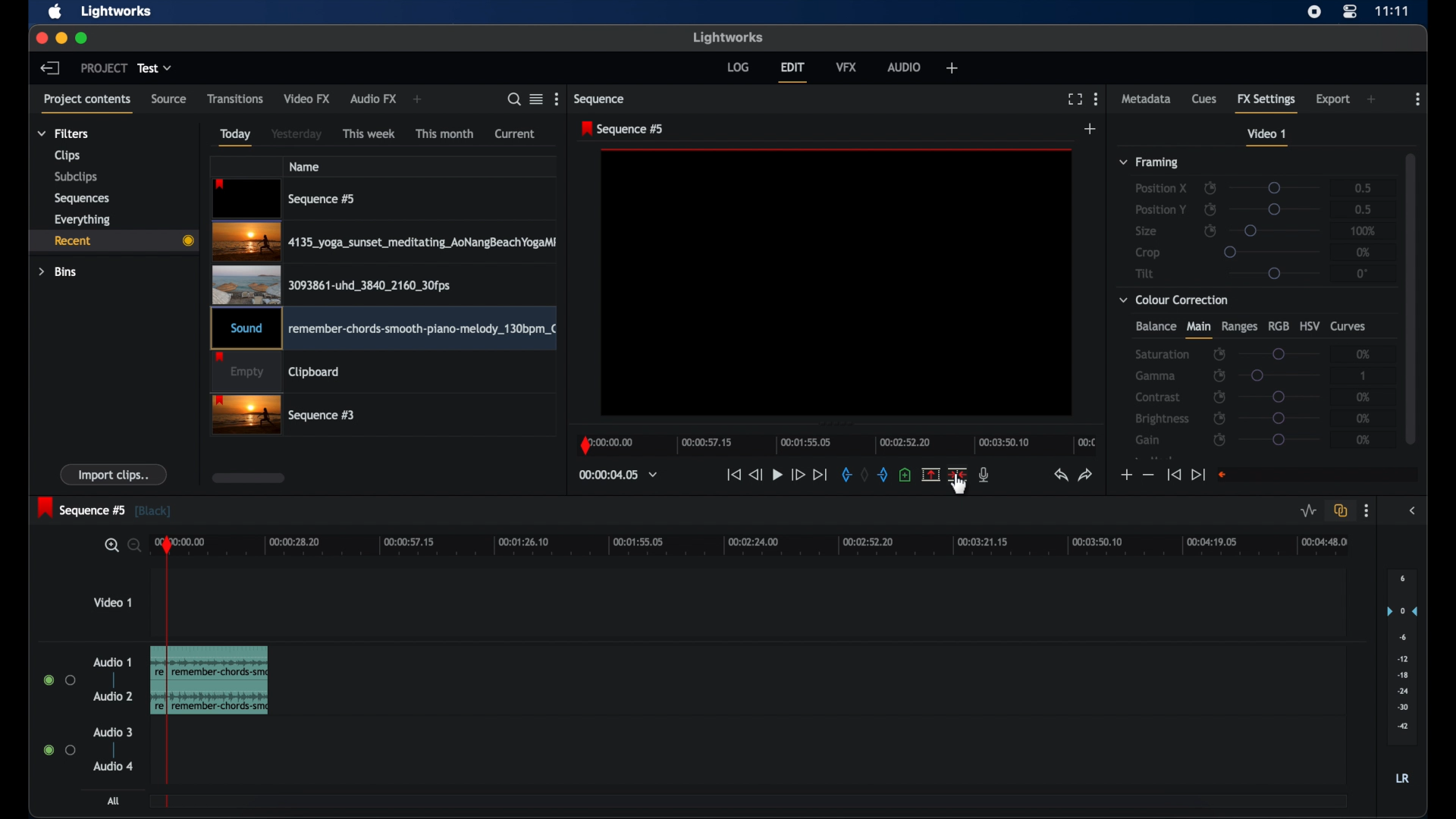  I want to click on 0%, so click(1365, 418).